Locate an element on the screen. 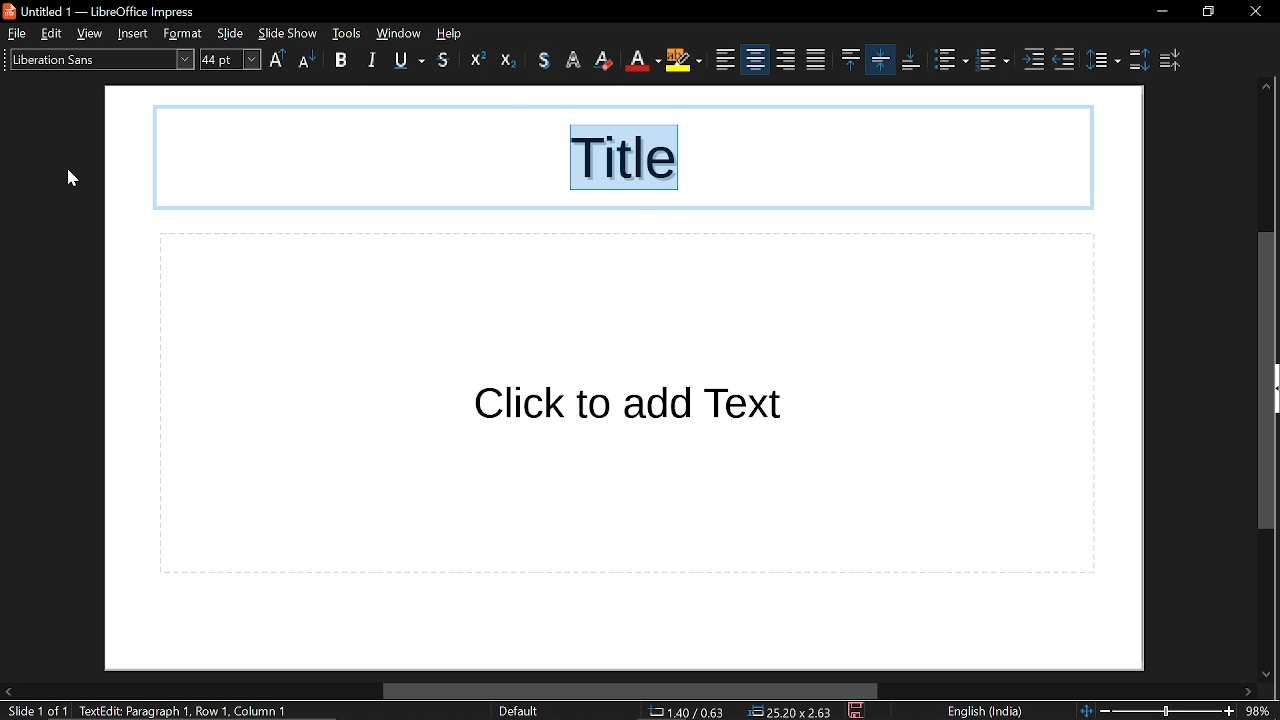 Image resolution: width=1280 pixels, height=720 pixels. toggle ordered list is located at coordinates (995, 62).